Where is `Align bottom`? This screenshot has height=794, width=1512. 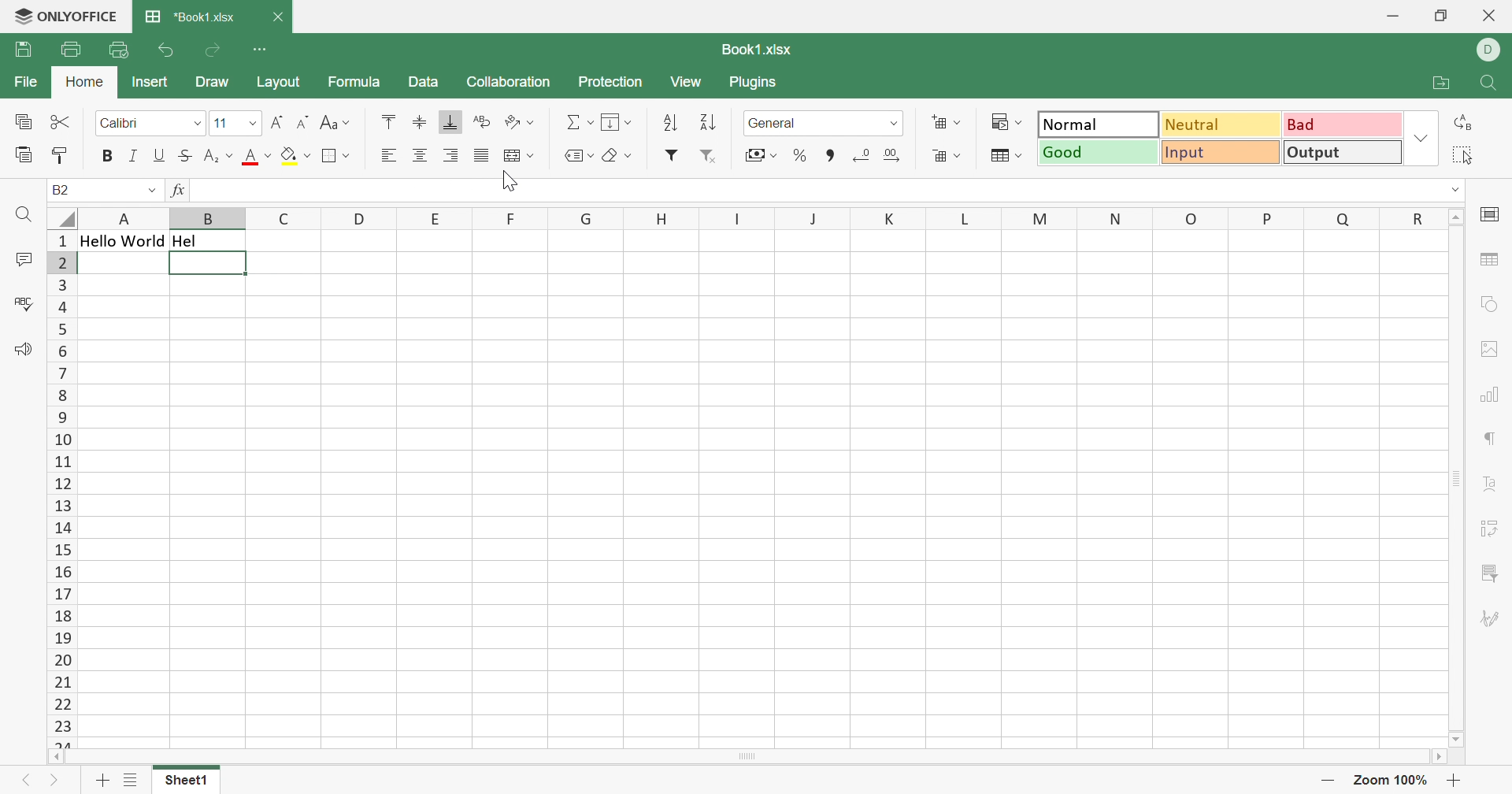
Align bottom is located at coordinates (451, 121).